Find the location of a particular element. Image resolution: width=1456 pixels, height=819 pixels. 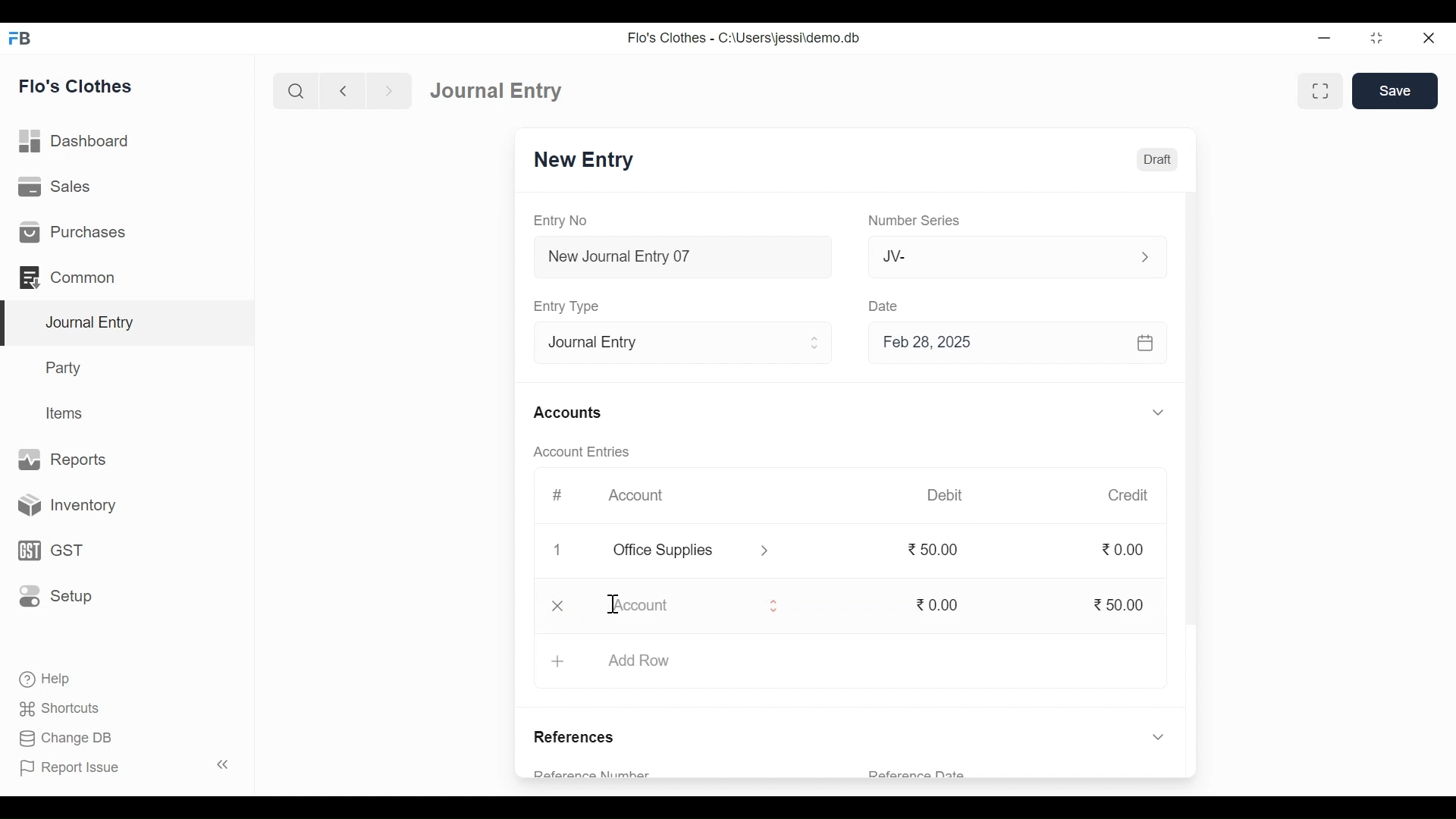

Journal Entry is located at coordinates (502, 90).